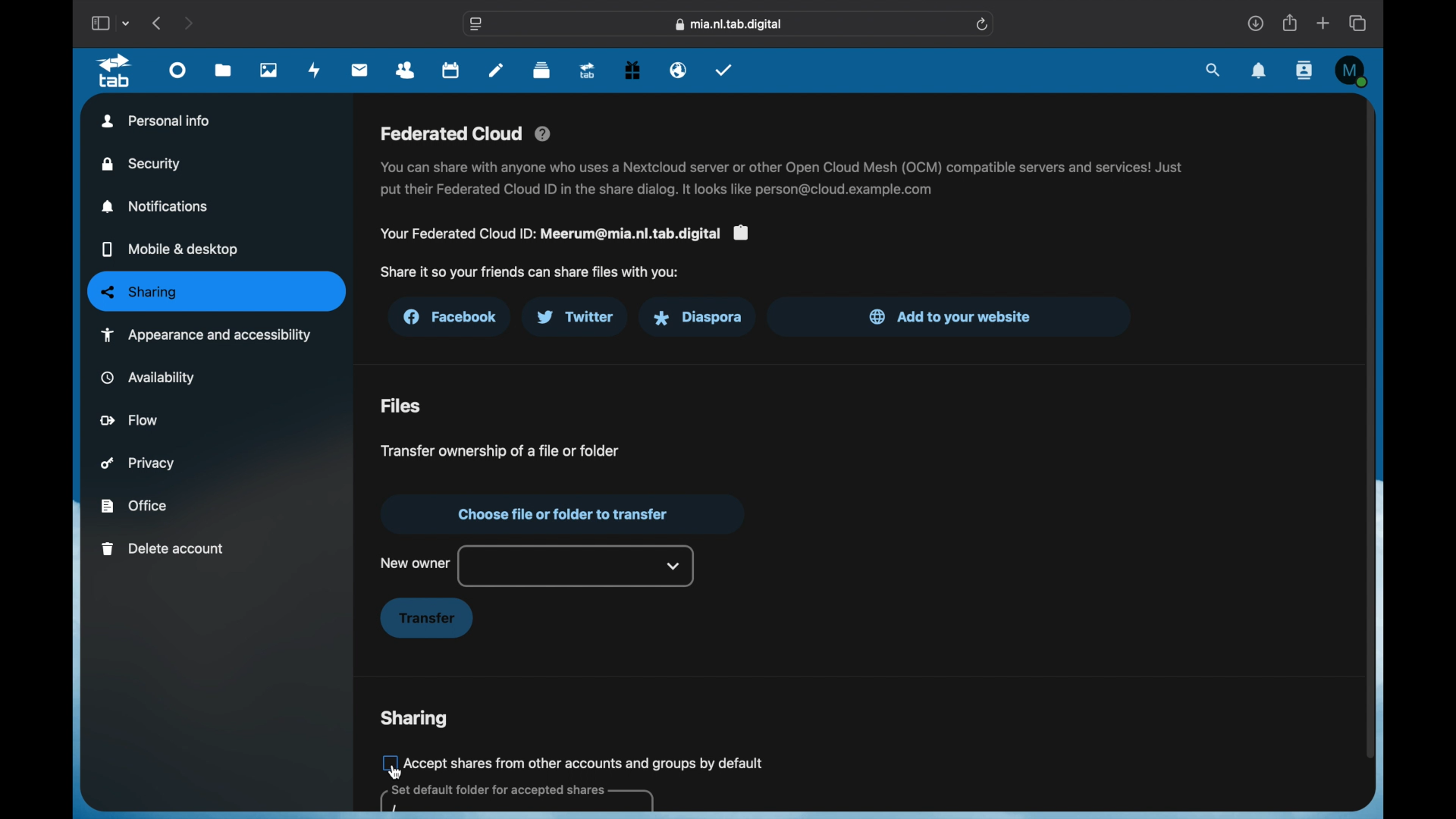 The image size is (1456, 819). Describe the element at coordinates (560, 514) in the screenshot. I see `choose file or folder to transfer` at that location.